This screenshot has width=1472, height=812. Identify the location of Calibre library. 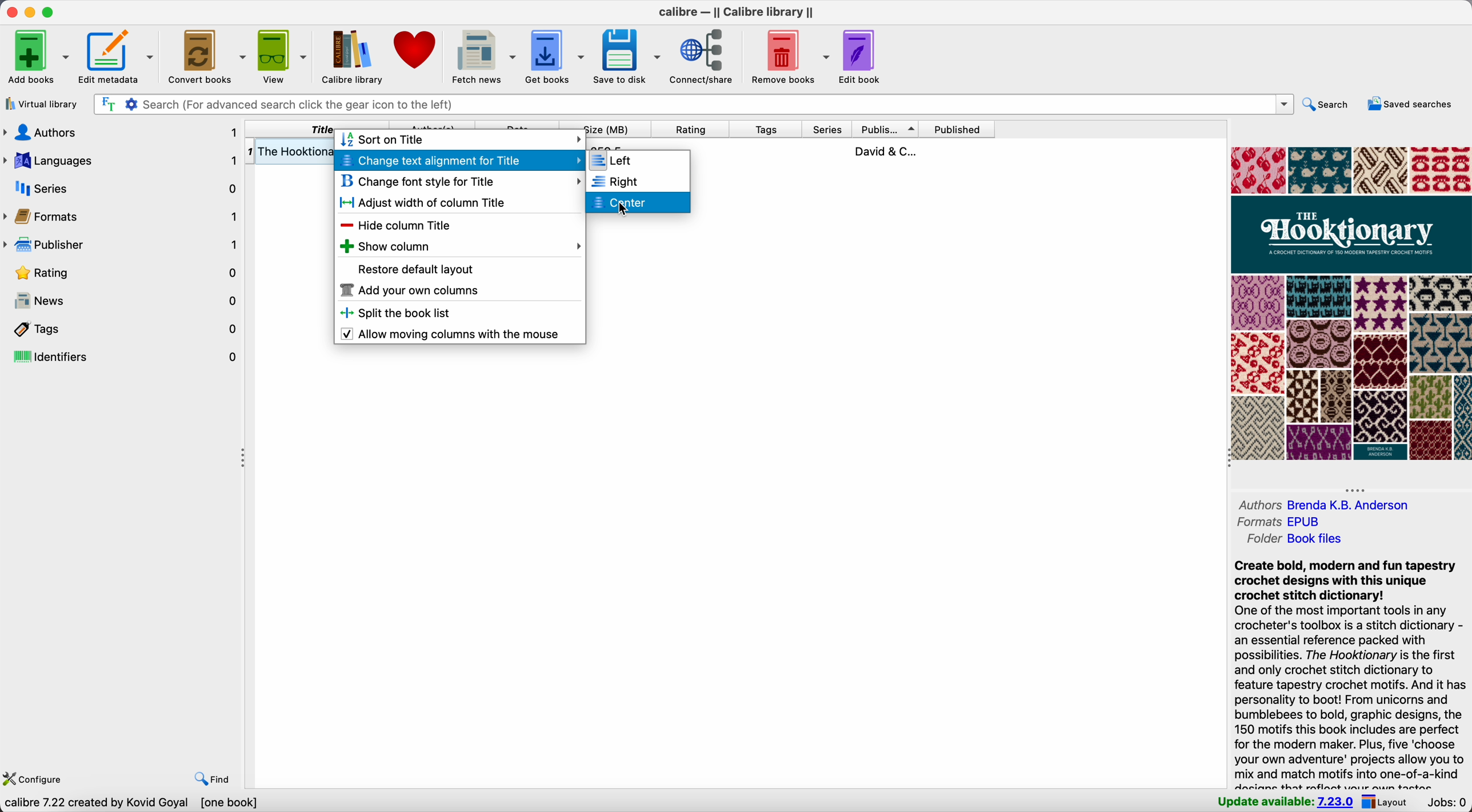
(350, 55).